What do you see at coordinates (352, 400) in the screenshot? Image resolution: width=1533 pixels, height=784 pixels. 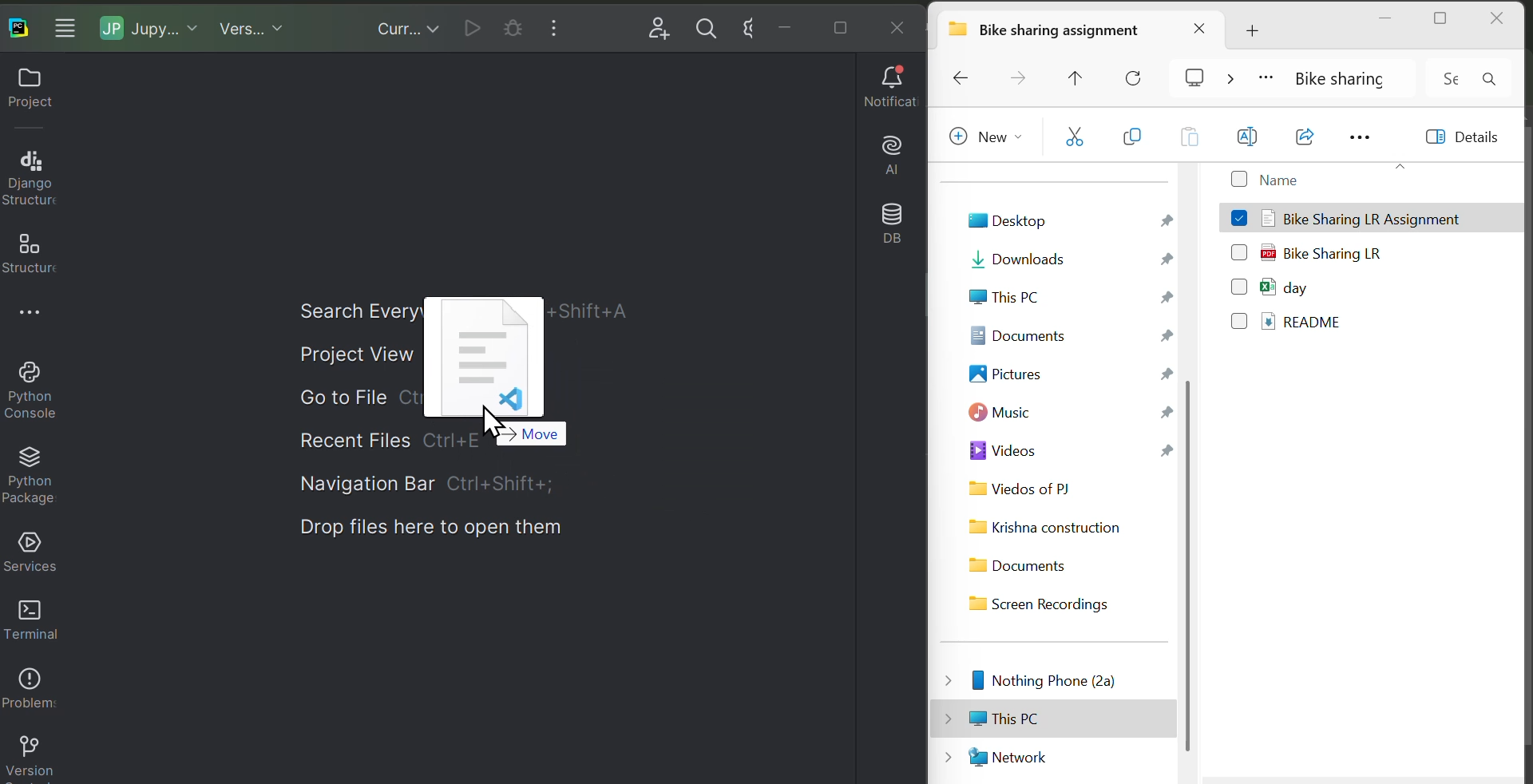 I see `Go to file` at bounding box center [352, 400].